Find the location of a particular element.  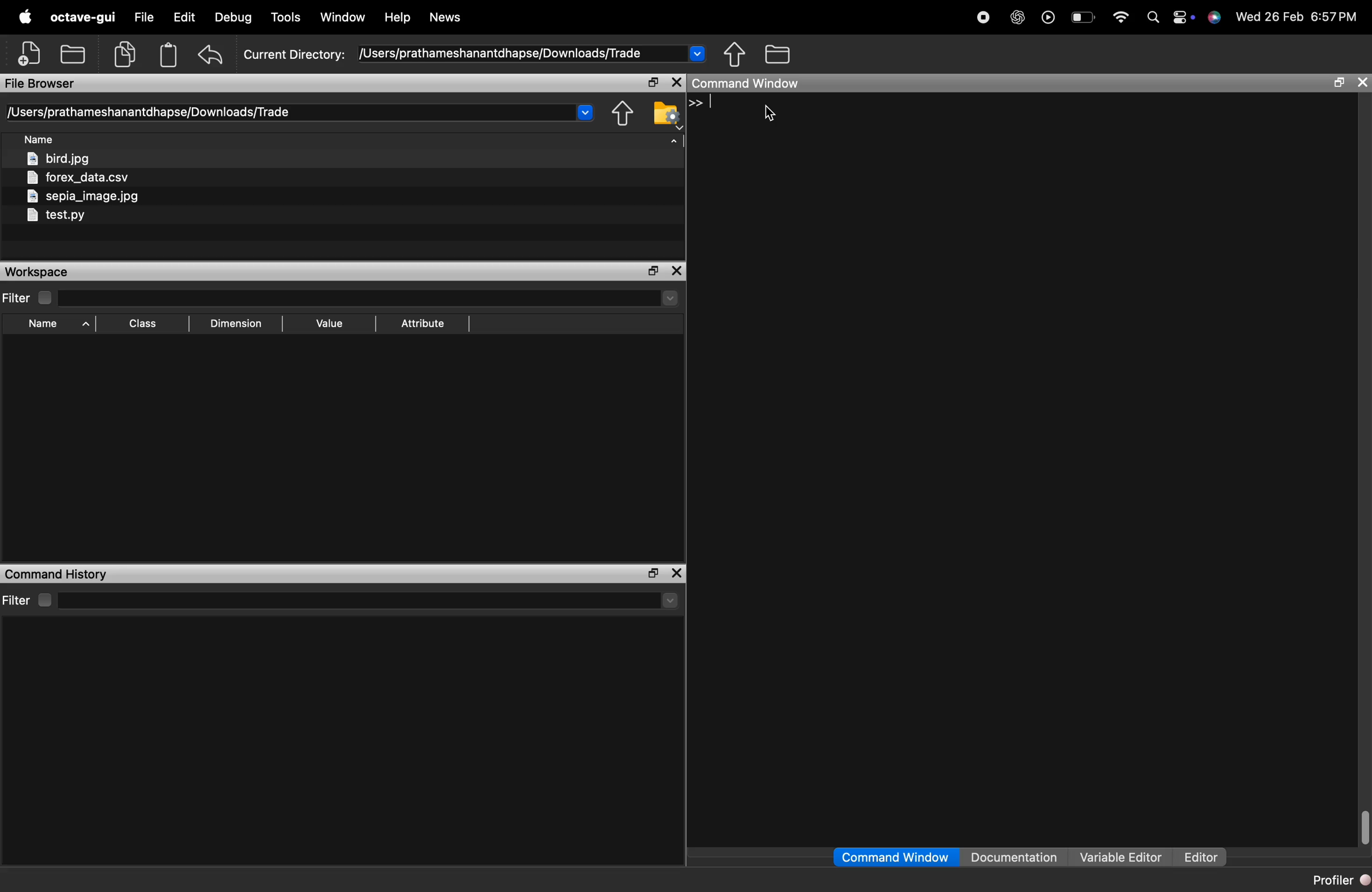

command window is located at coordinates (895, 857).